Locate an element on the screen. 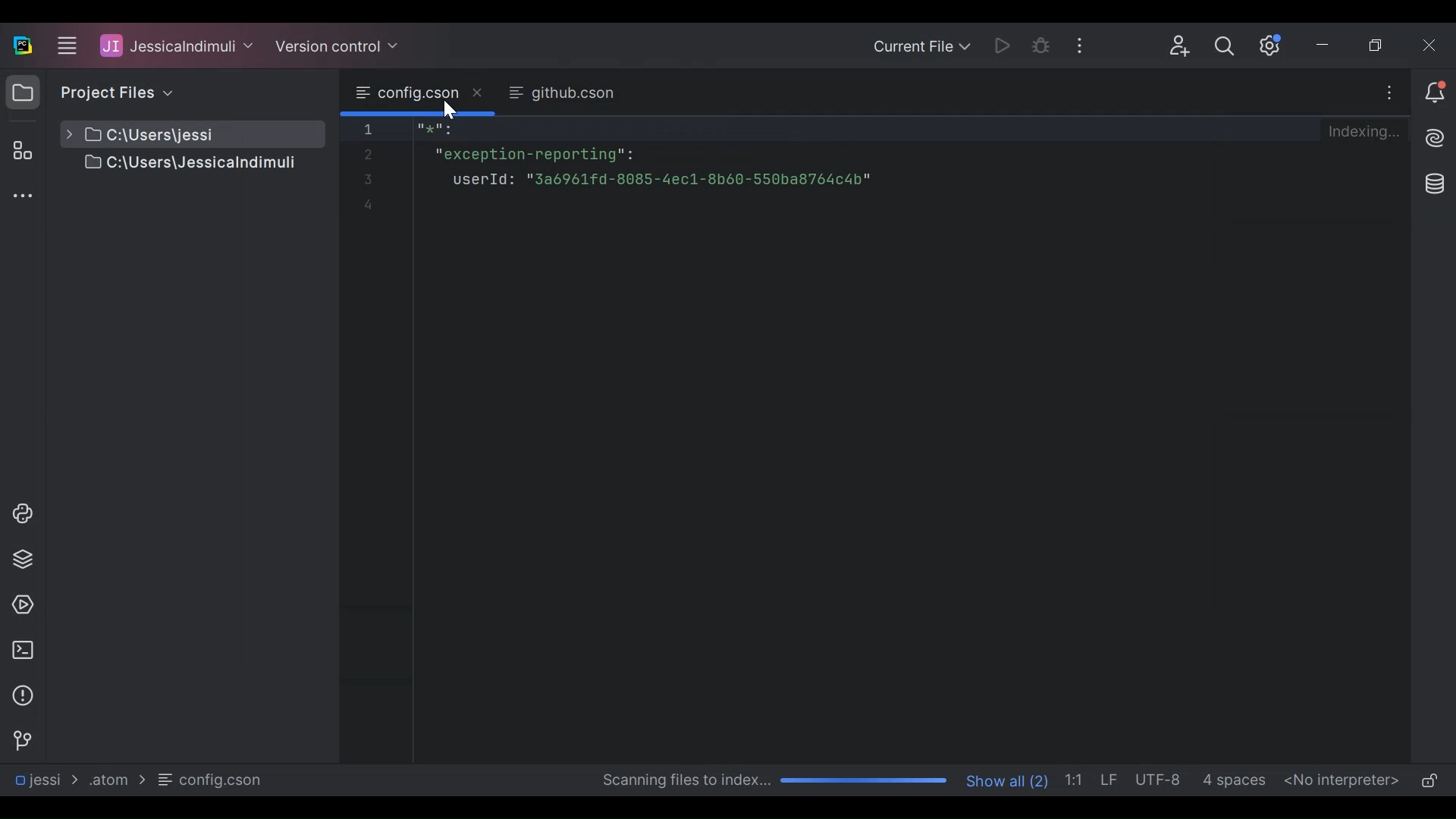  Problems is located at coordinates (23, 695).